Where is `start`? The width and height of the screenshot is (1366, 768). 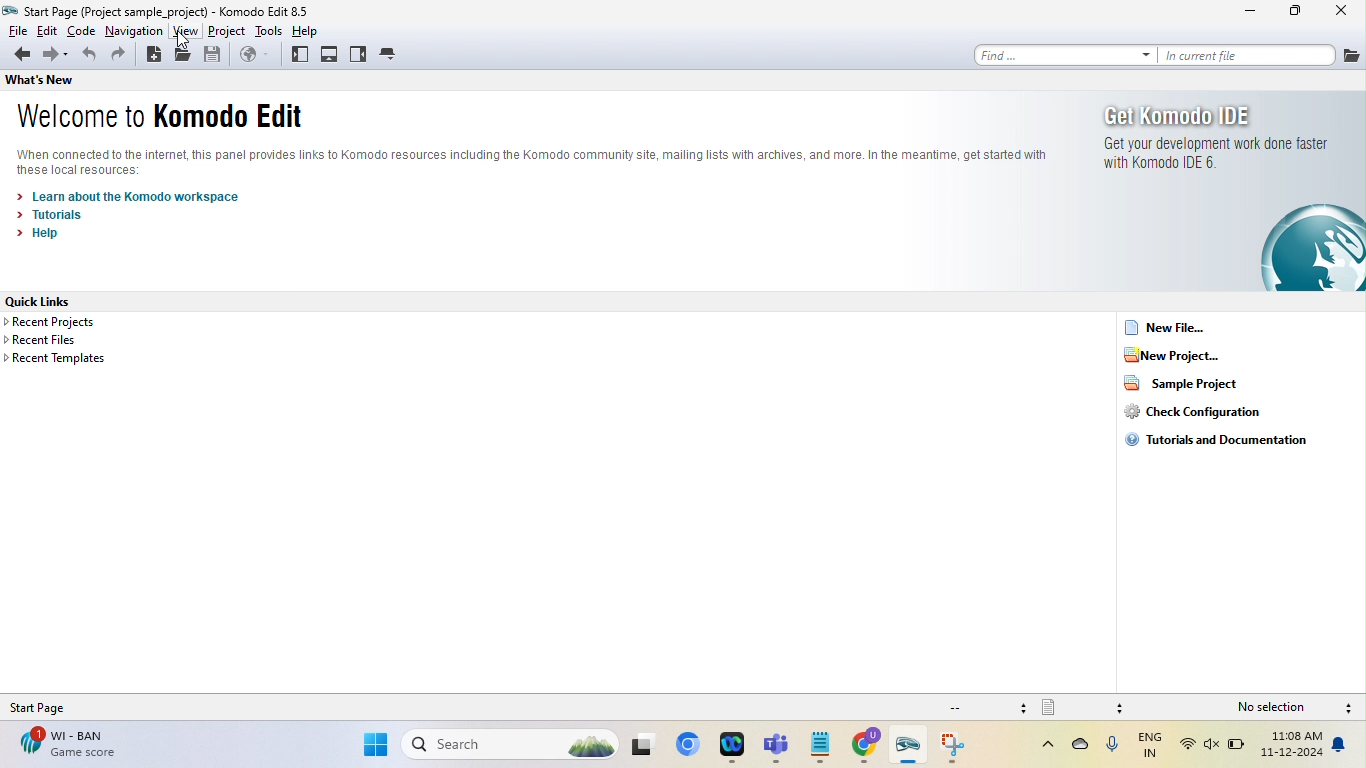 start is located at coordinates (374, 747).